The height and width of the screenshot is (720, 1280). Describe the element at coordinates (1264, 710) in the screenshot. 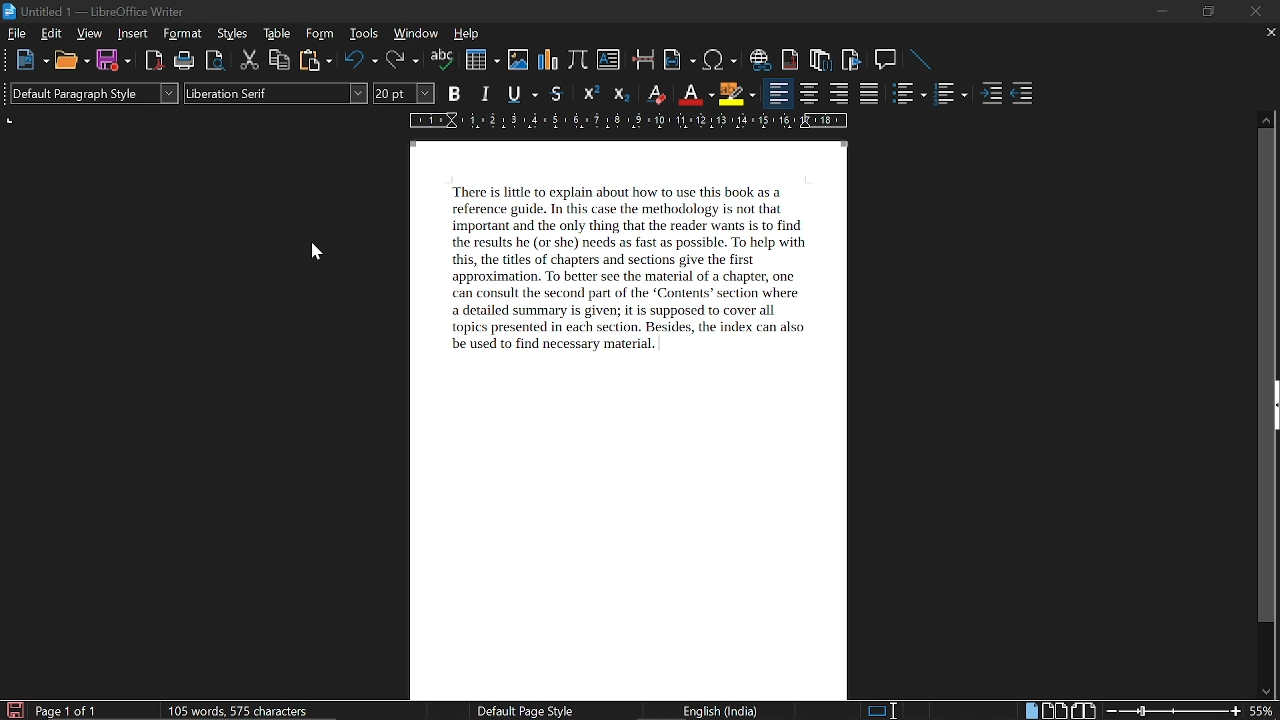

I see `current zoom` at that location.